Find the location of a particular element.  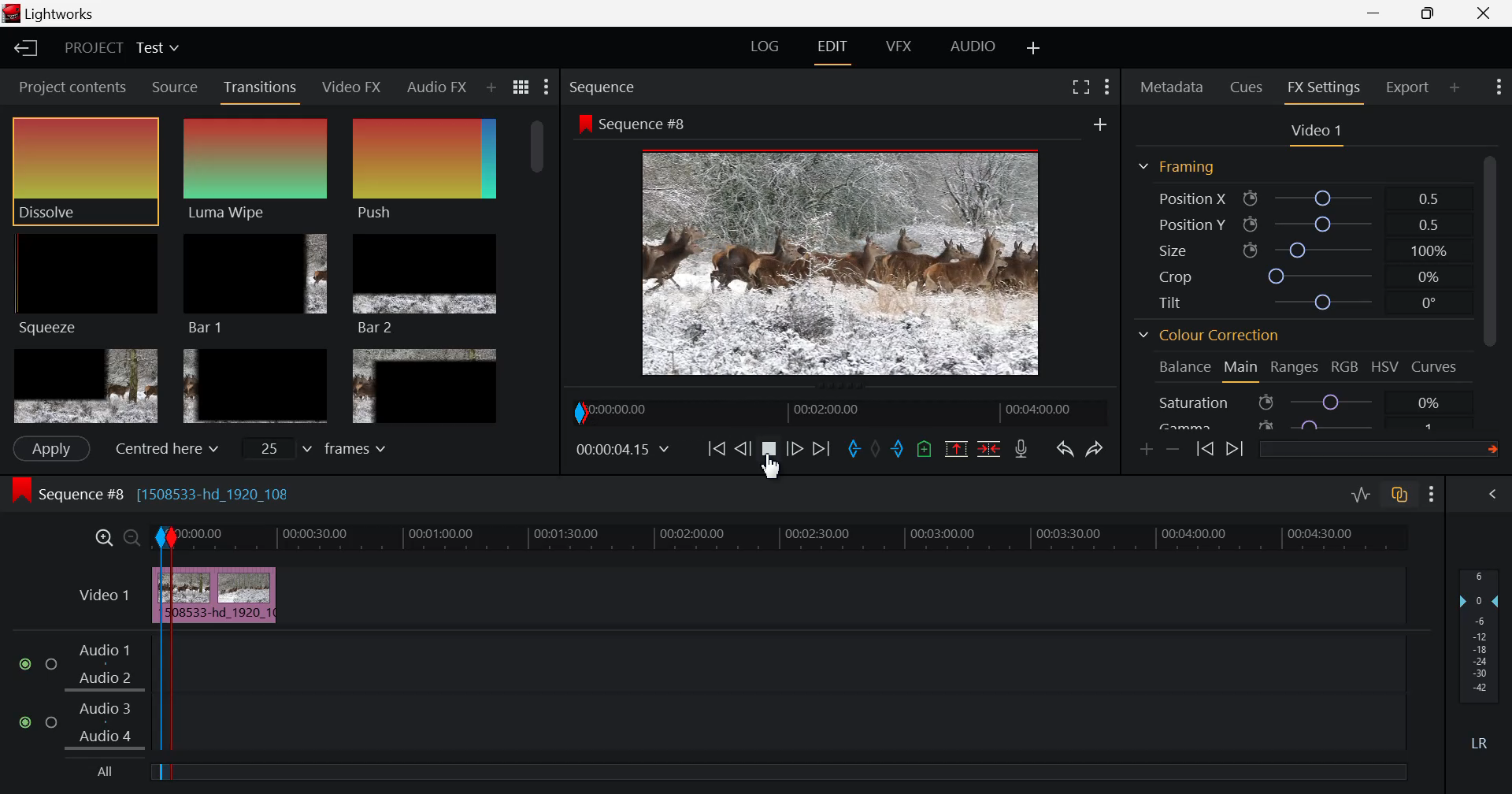

Full Screen is located at coordinates (1082, 85).